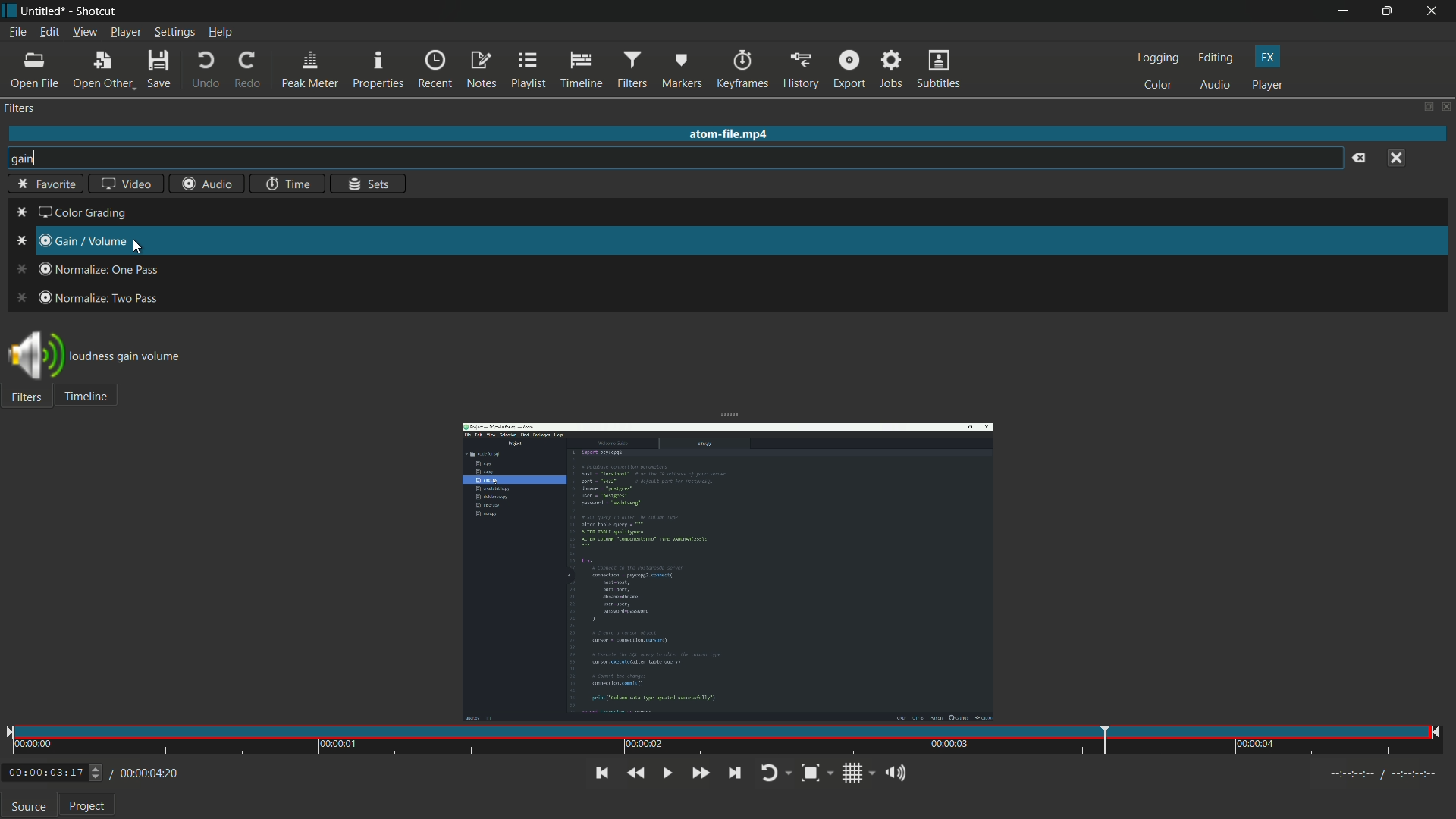  What do you see at coordinates (86, 807) in the screenshot?
I see `Project` at bounding box center [86, 807].